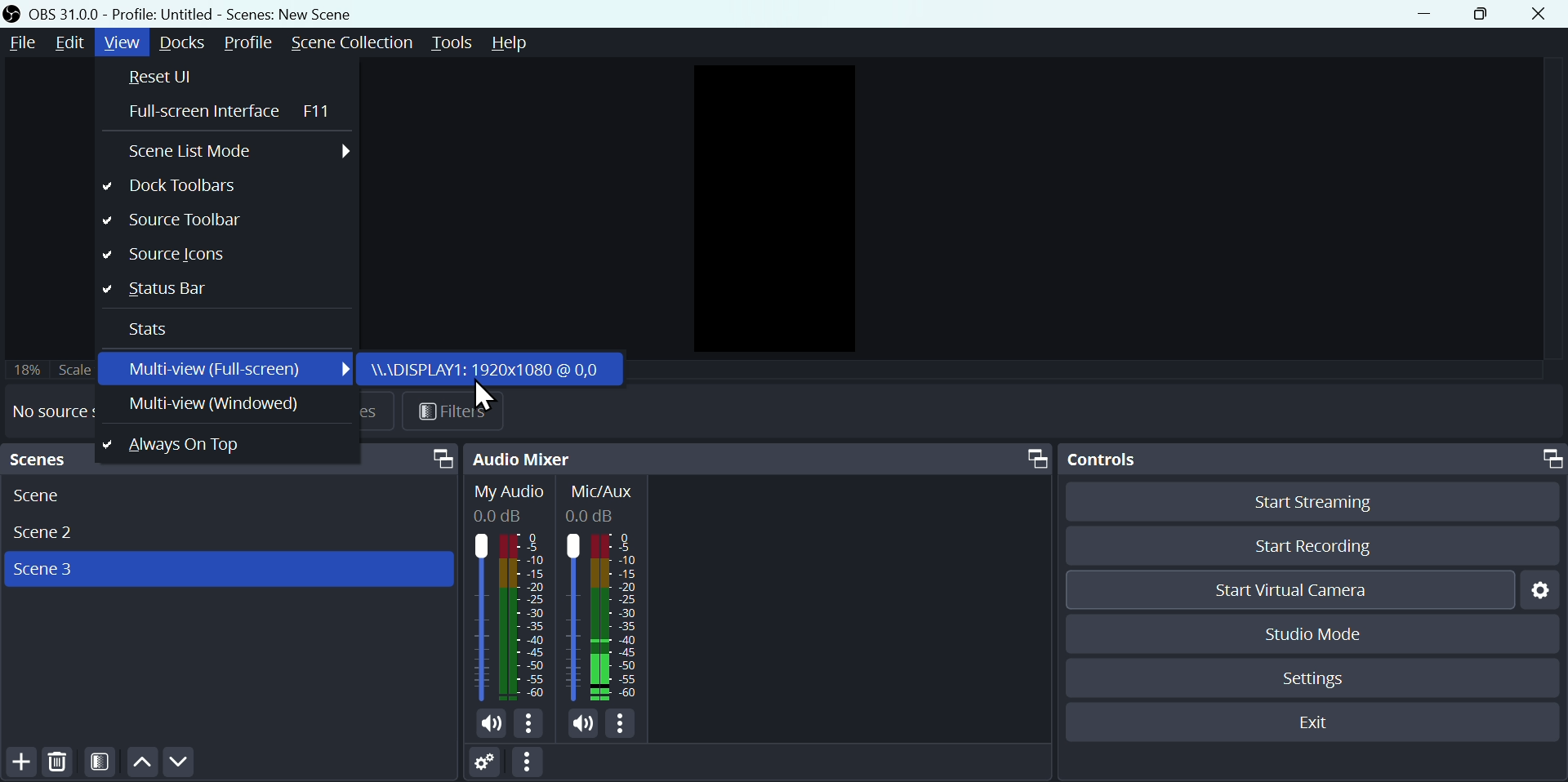 The image size is (1568, 782). Describe the element at coordinates (1476, 13) in the screenshot. I see `` at that location.